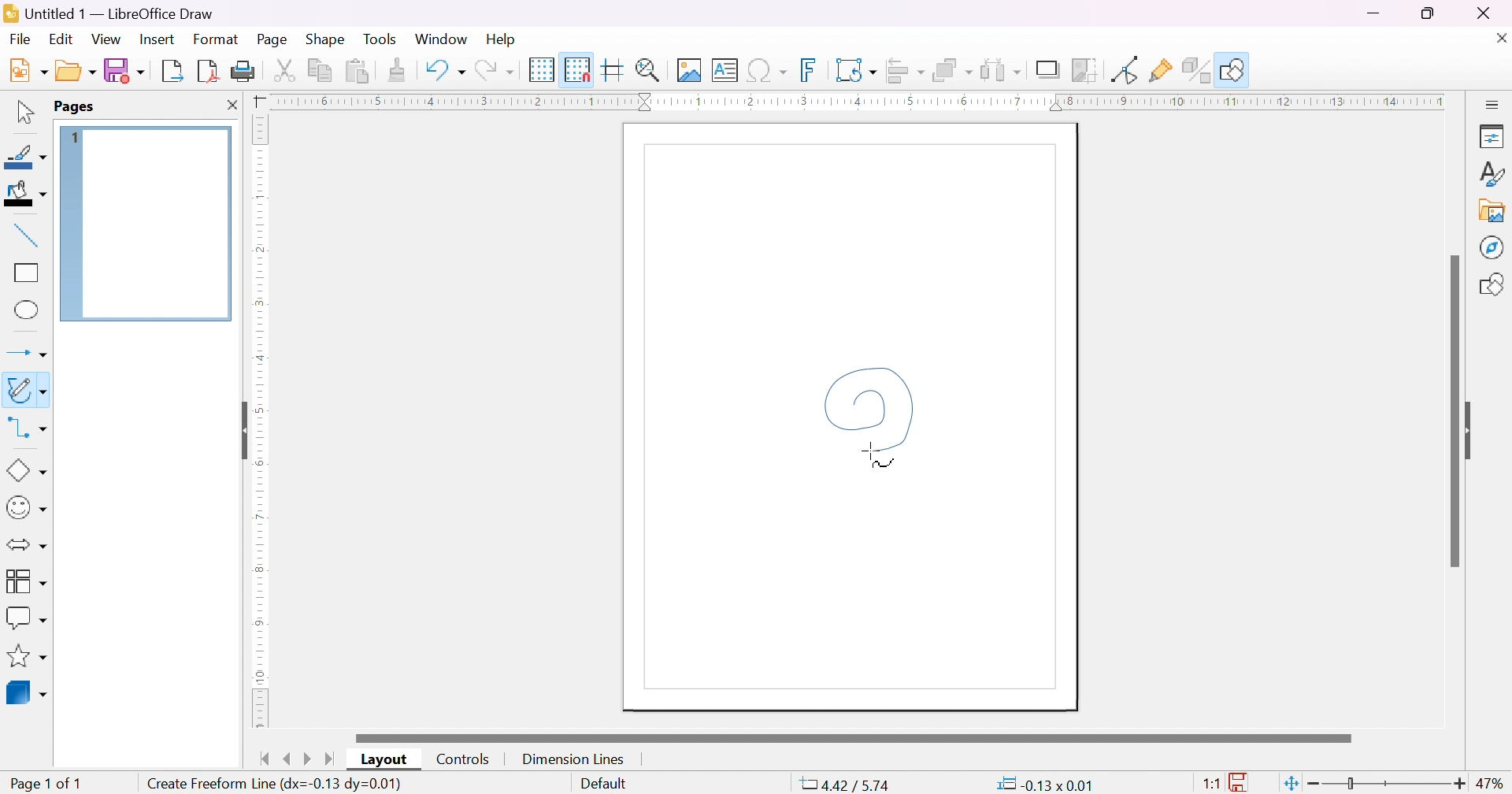 This screenshot has height=794, width=1512. What do you see at coordinates (846, 785) in the screenshot?
I see `-7.49/4.29` at bounding box center [846, 785].